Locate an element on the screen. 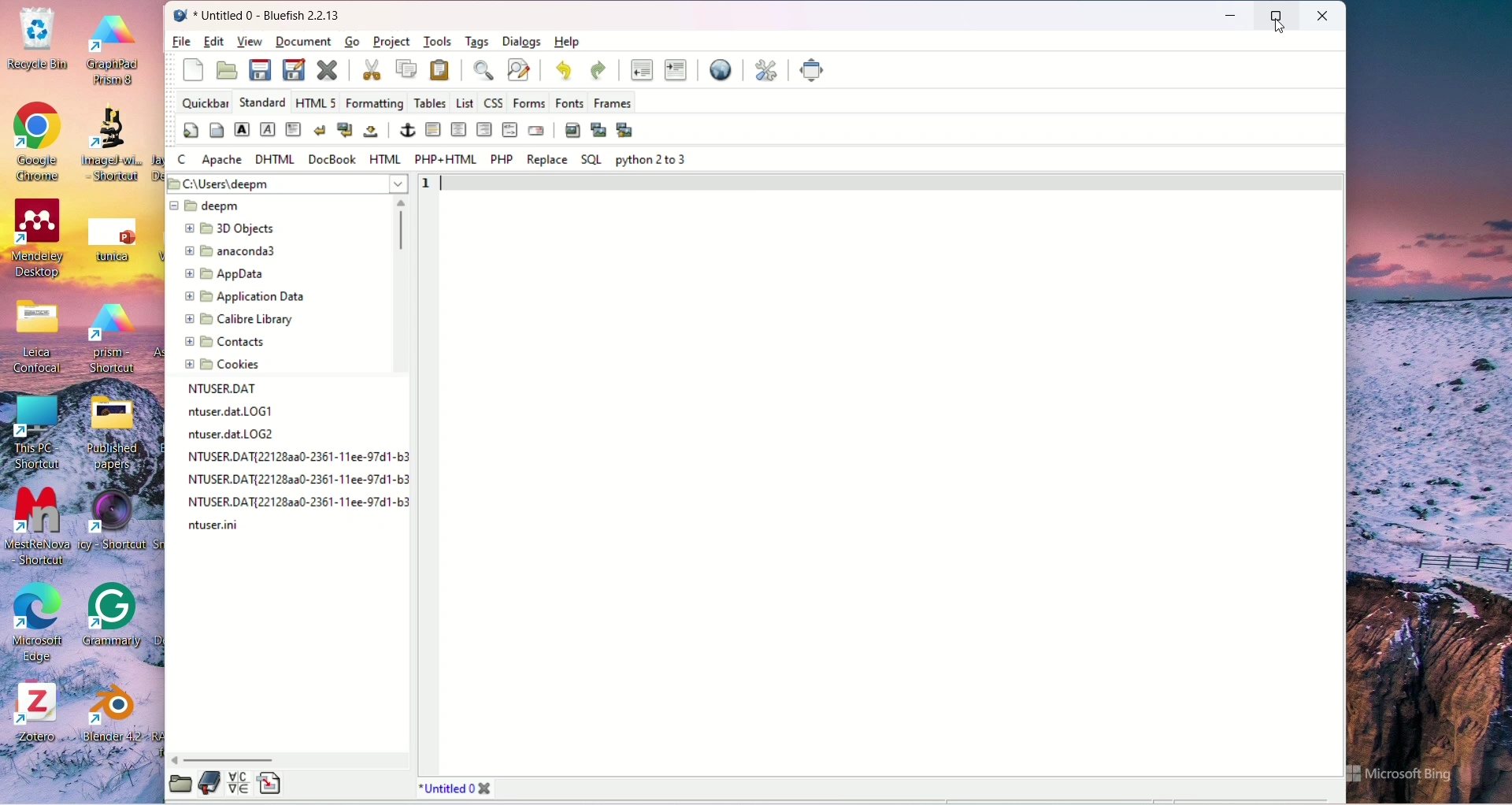 The height and width of the screenshot is (805, 1512). deepm is located at coordinates (207, 206).